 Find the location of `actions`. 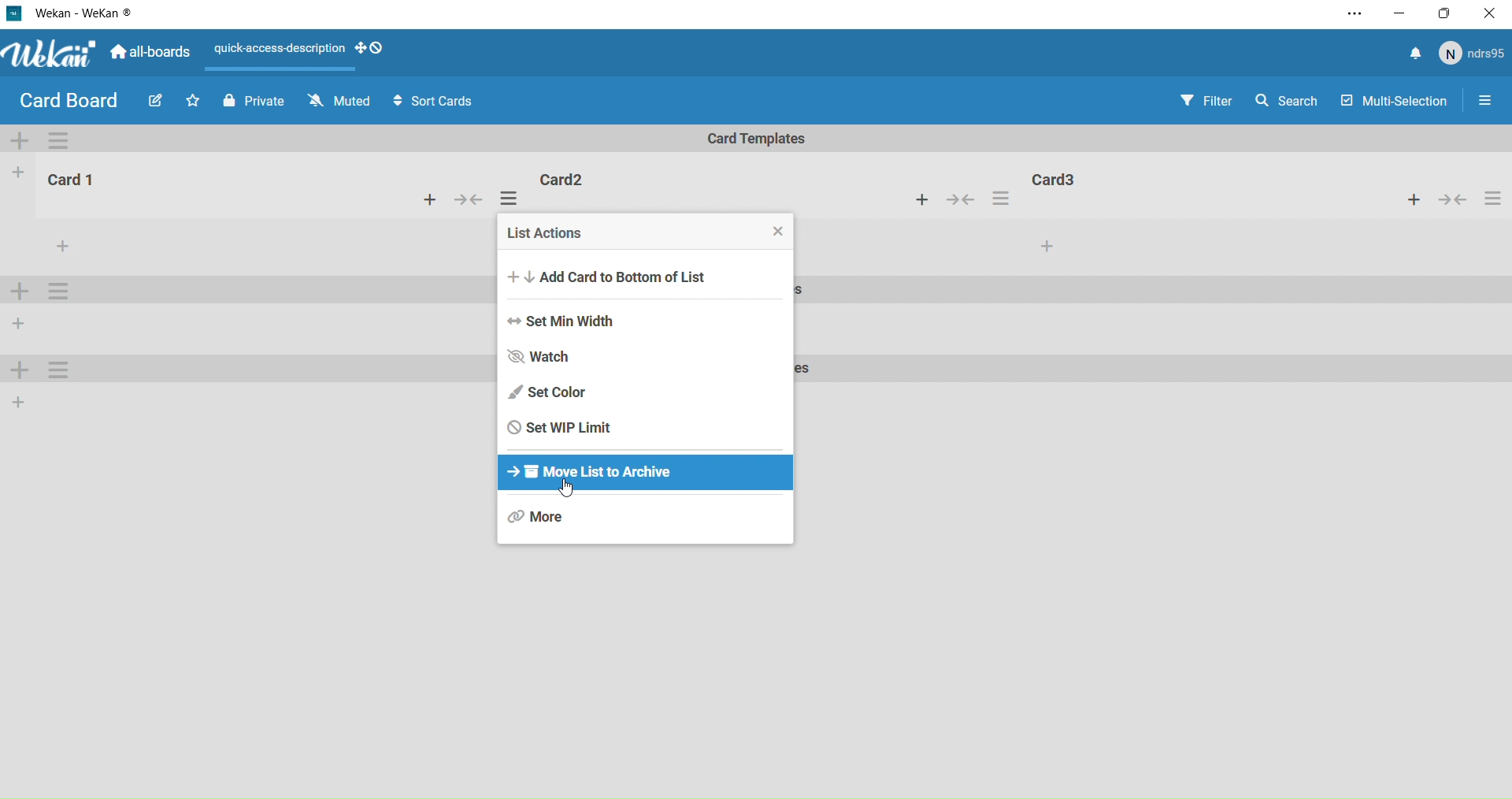

actions is located at coordinates (1002, 199).